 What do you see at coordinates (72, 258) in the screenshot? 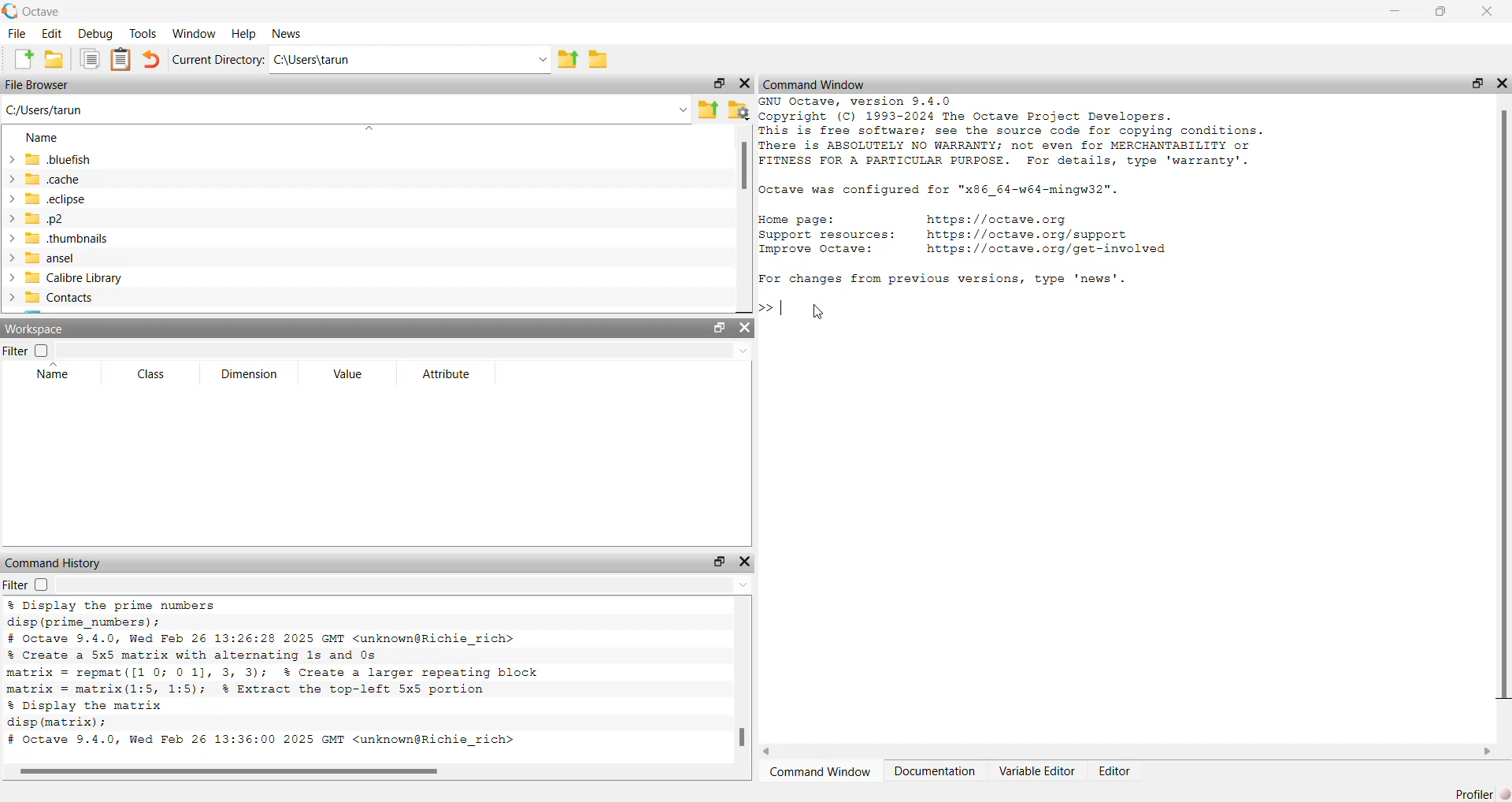
I see `ansel` at bounding box center [72, 258].